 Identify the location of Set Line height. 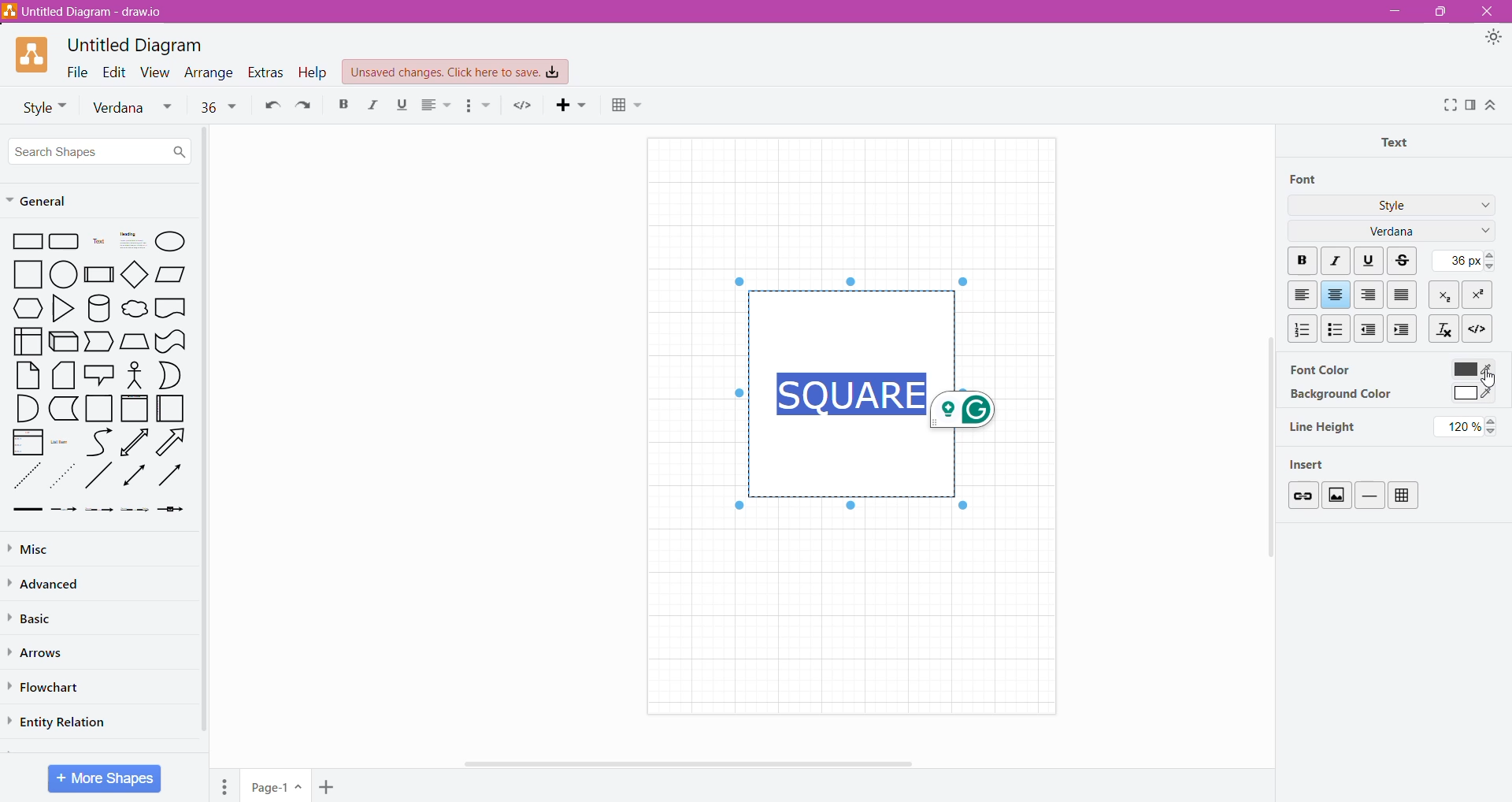
(1469, 426).